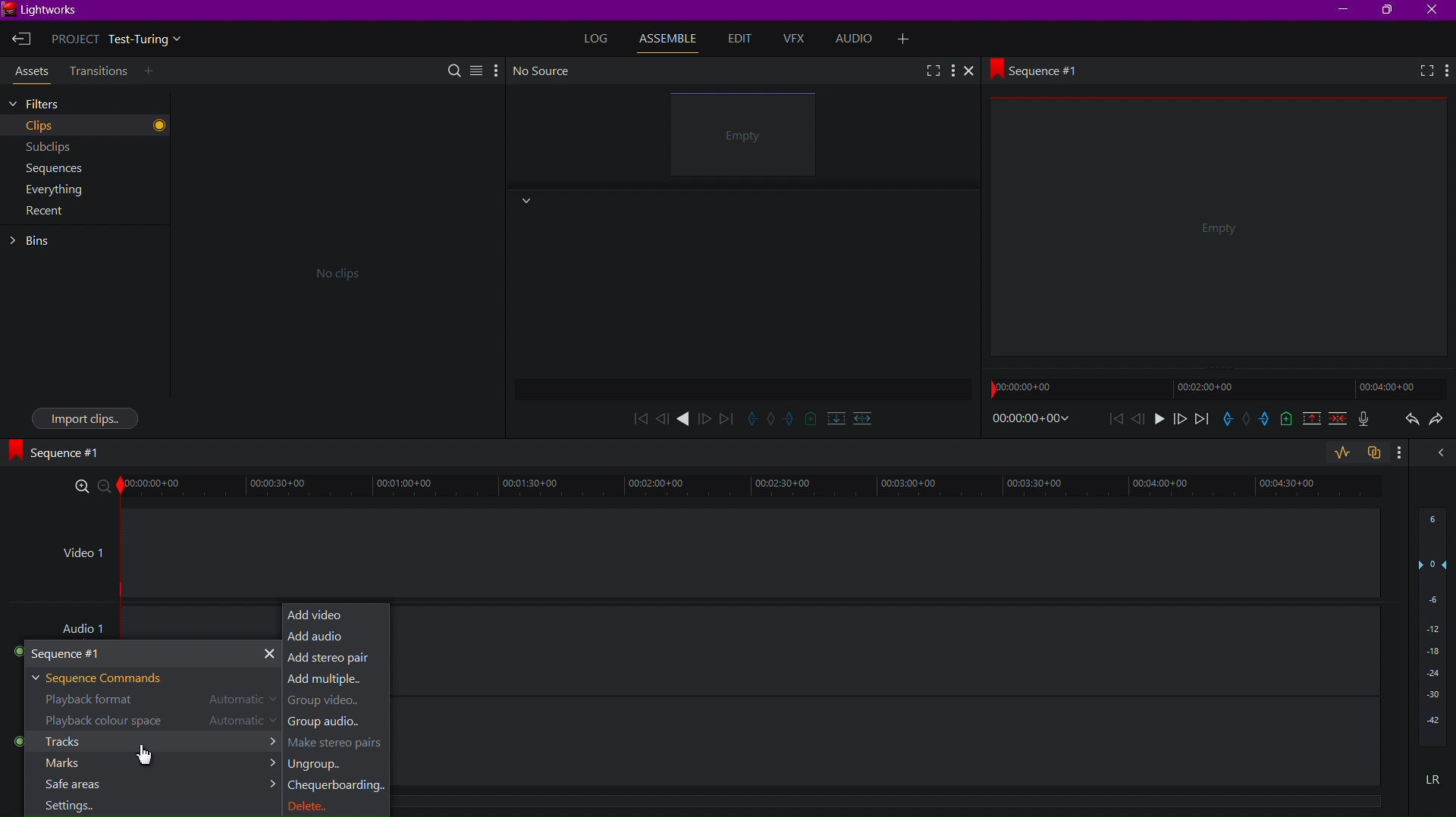 The image size is (1456, 817). What do you see at coordinates (672, 39) in the screenshot?
I see `Assemble` at bounding box center [672, 39].